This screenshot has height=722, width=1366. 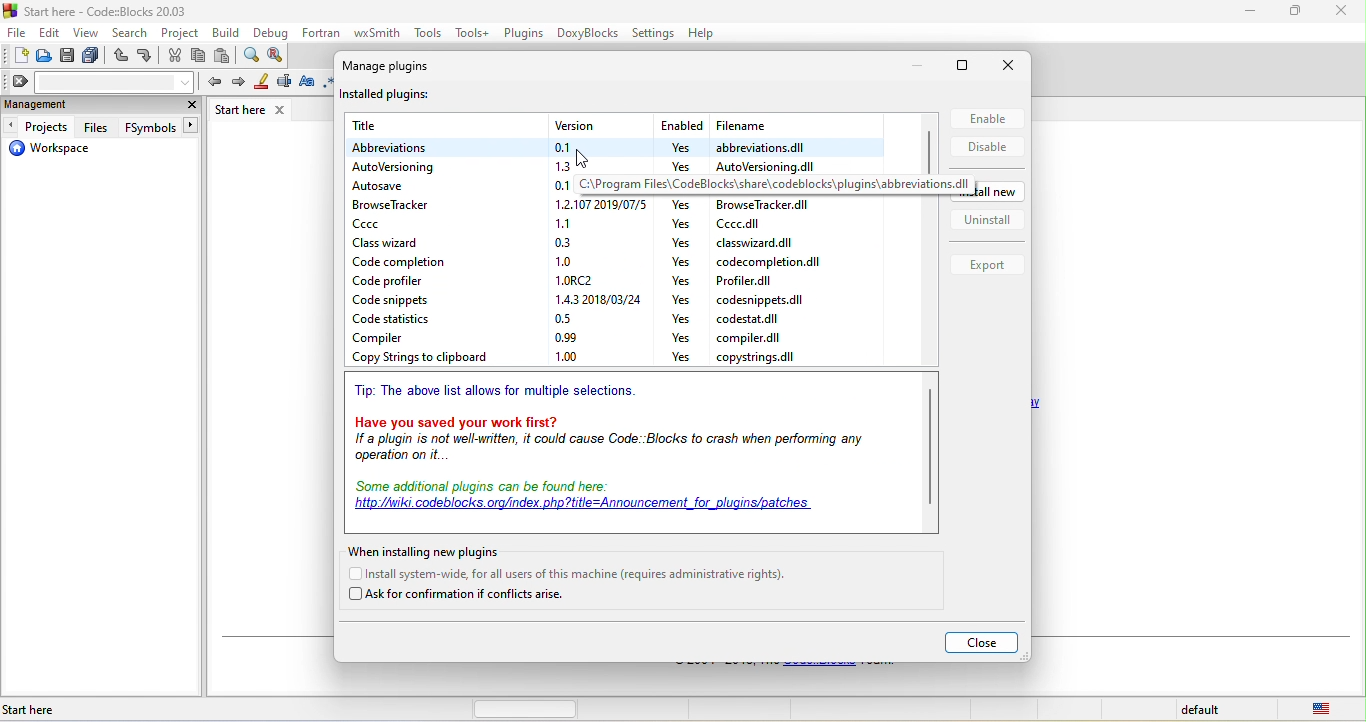 I want to click on paste, so click(x=226, y=56).